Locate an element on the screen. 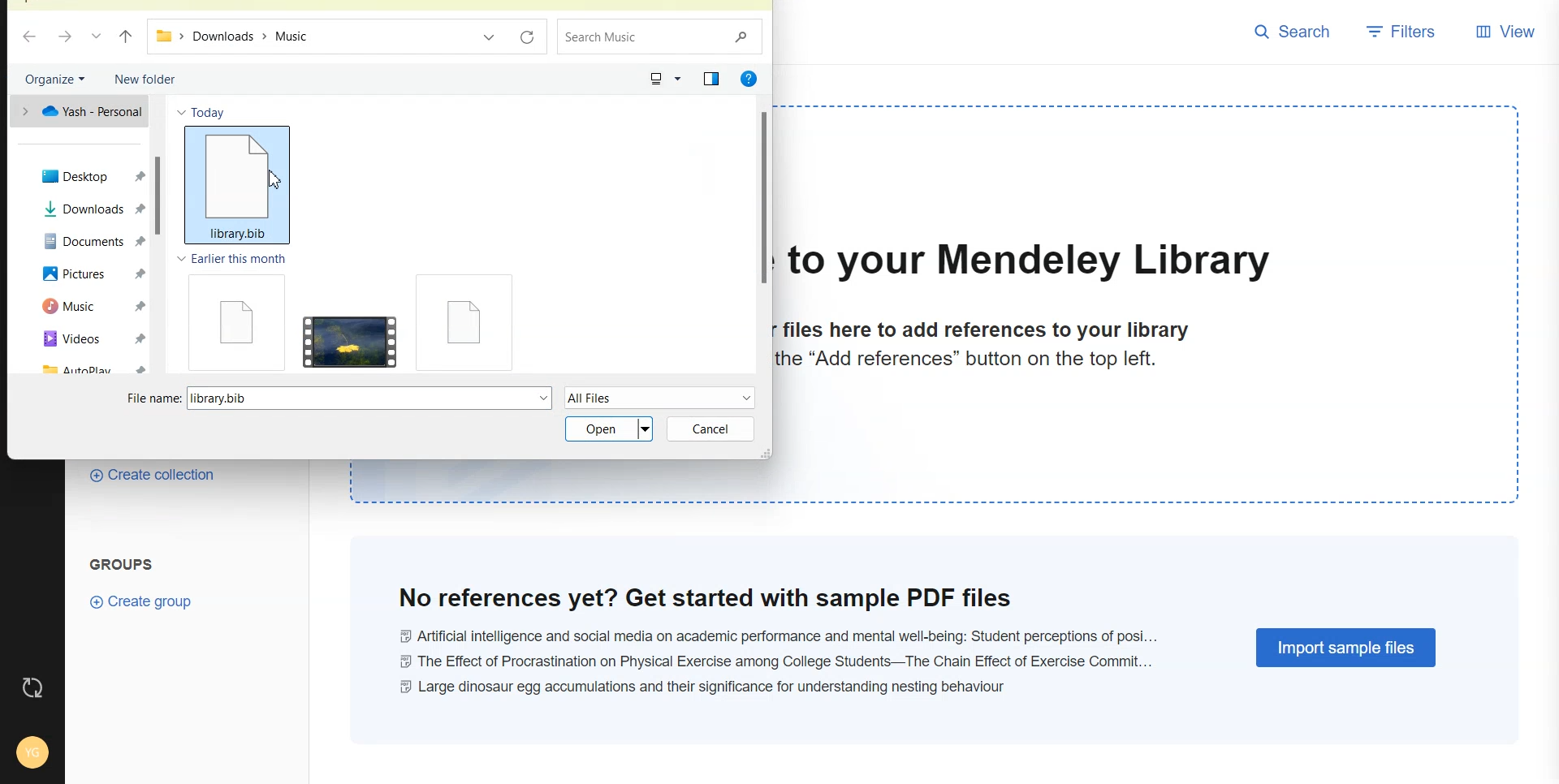 This screenshot has height=784, width=1559. View is located at coordinates (1502, 32).